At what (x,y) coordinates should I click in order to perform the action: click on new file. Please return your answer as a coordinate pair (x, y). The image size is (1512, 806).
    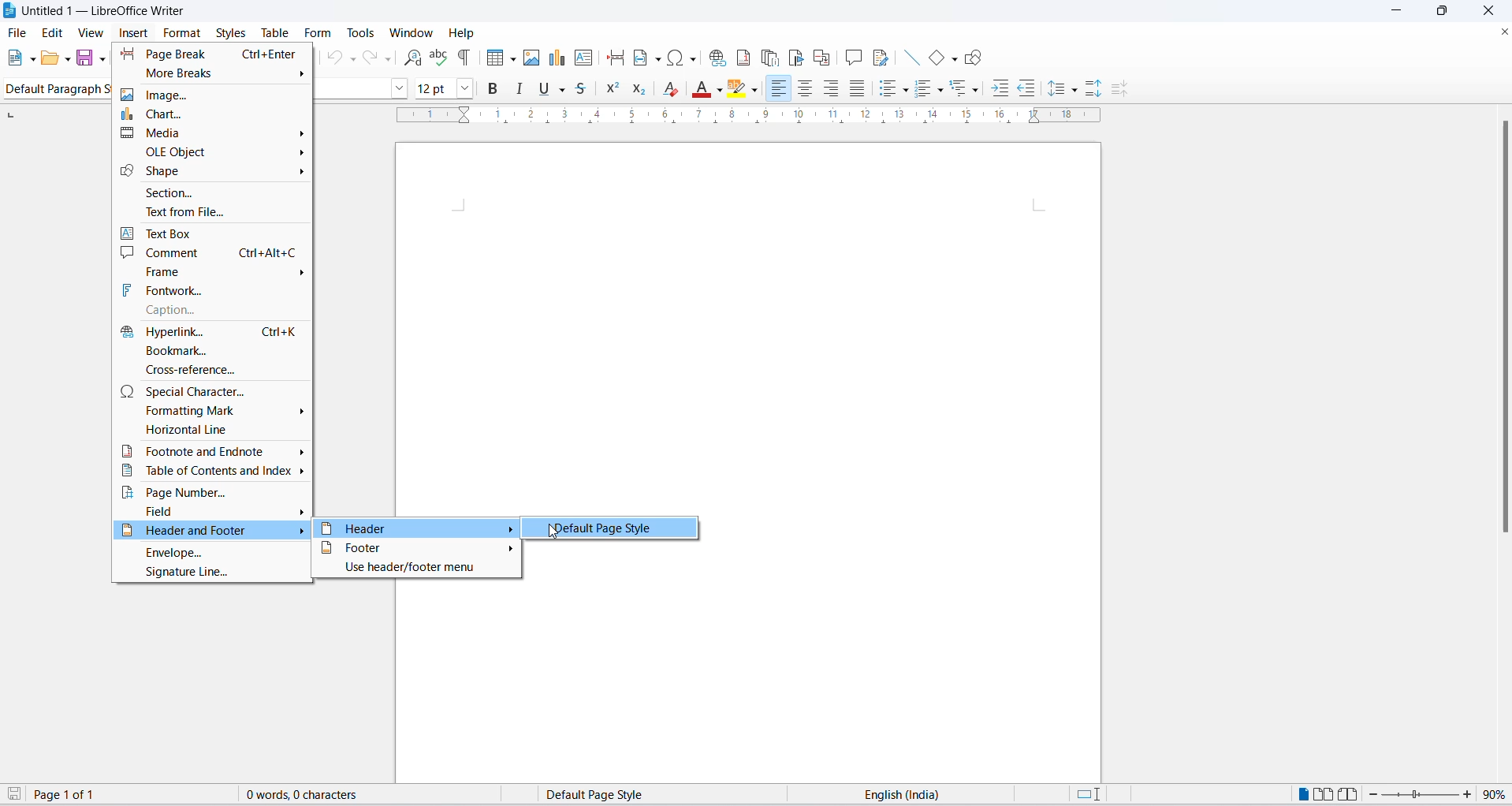
    Looking at the image, I should click on (15, 58).